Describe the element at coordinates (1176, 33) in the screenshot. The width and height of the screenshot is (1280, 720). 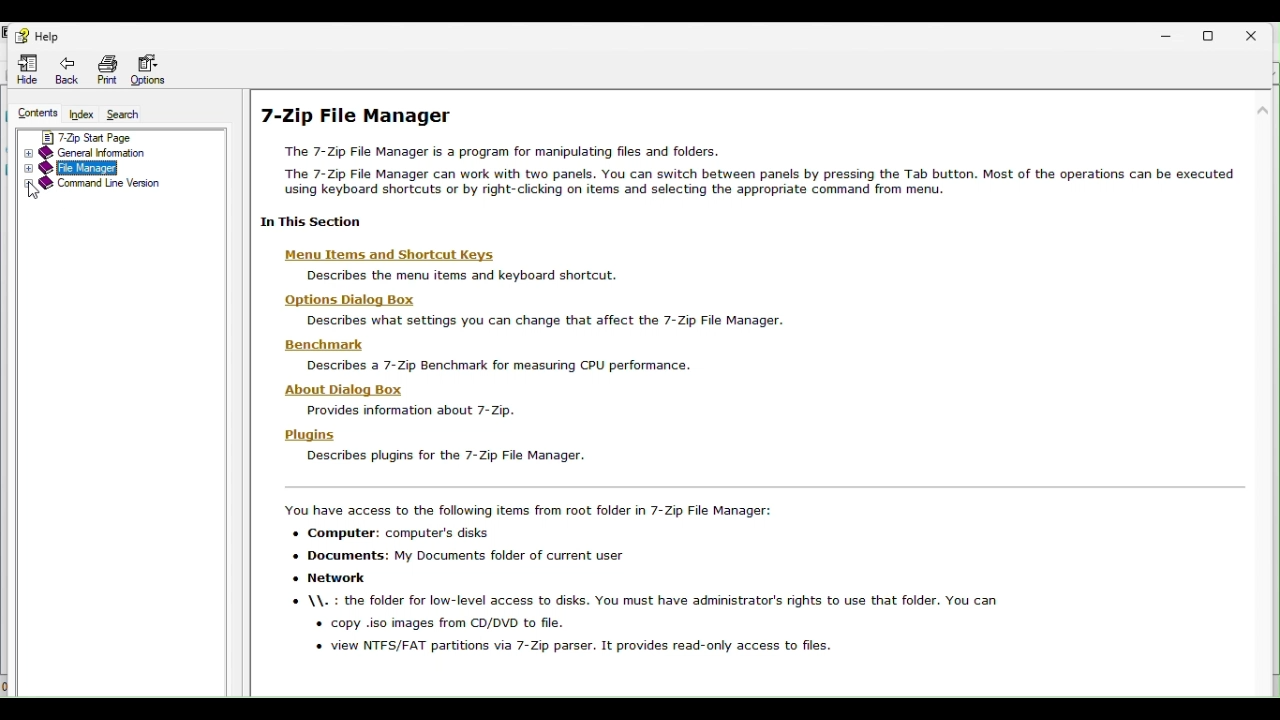
I see `Minimize` at that location.